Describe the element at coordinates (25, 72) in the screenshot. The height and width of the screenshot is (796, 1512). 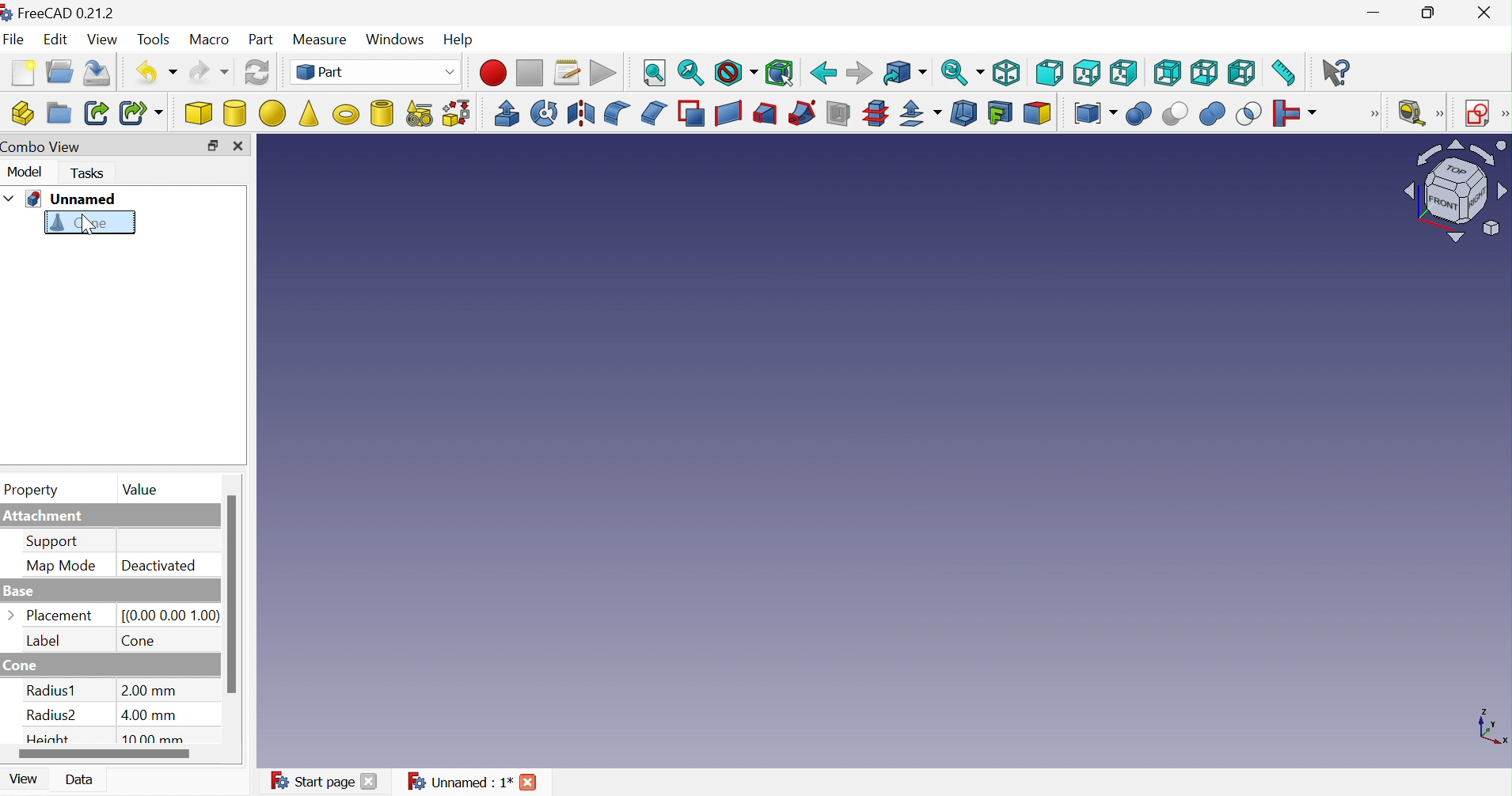
I see `New` at that location.